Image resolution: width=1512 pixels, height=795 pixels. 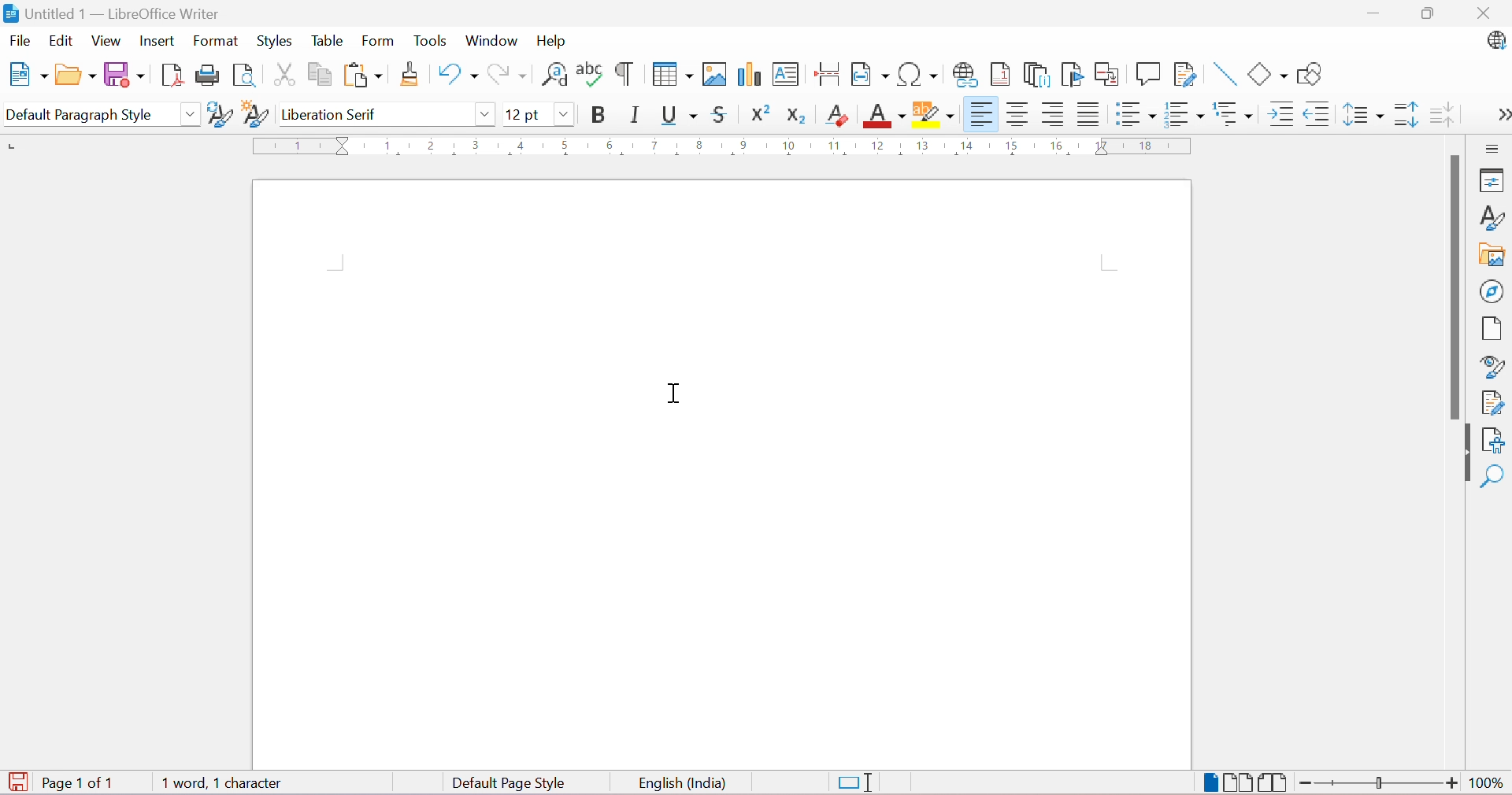 What do you see at coordinates (564, 113) in the screenshot?
I see `Drop Down` at bounding box center [564, 113].